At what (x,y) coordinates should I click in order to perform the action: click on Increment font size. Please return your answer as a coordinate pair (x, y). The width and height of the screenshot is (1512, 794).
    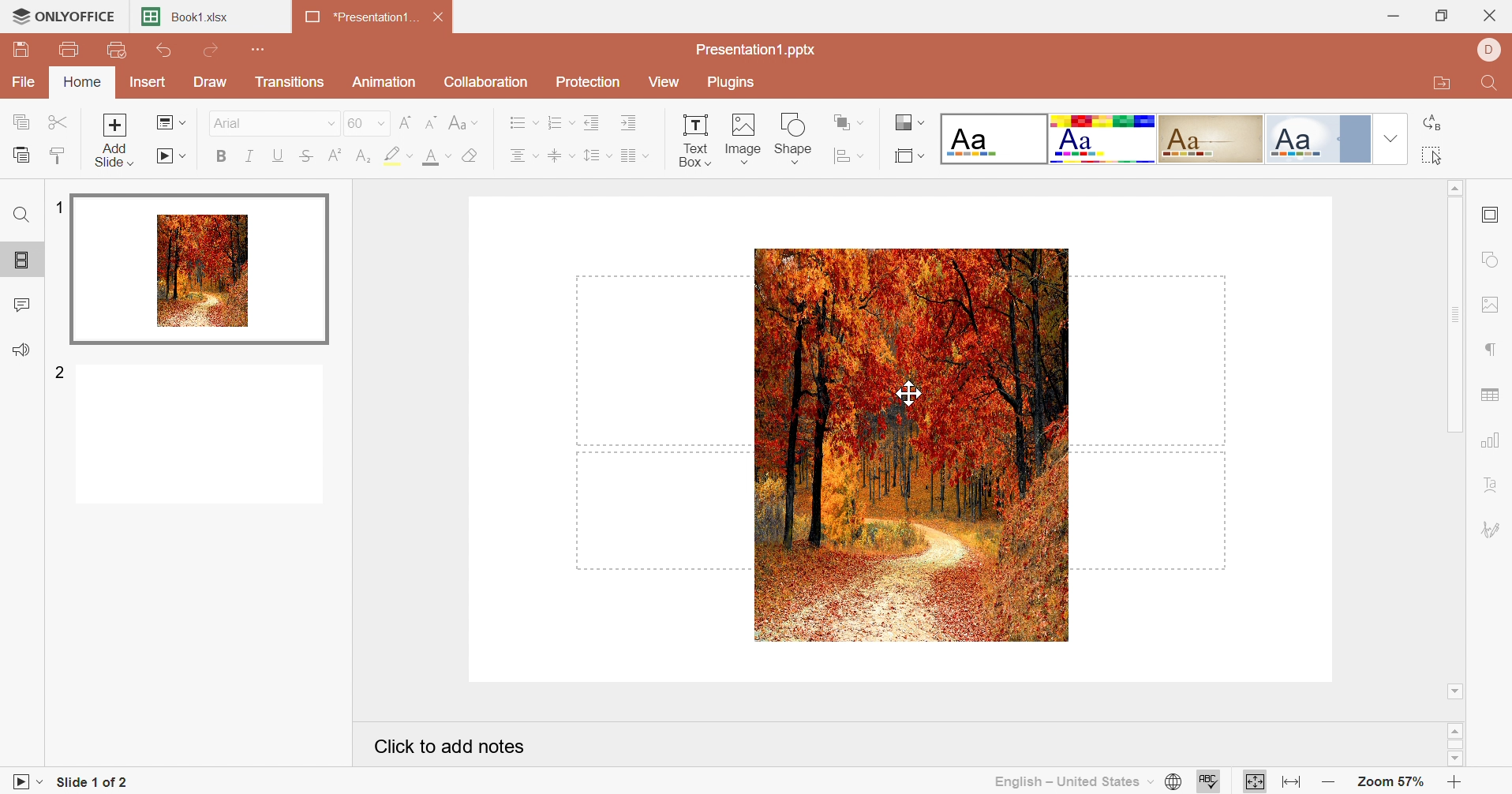
    Looking at the image, I should click on (405, 123).